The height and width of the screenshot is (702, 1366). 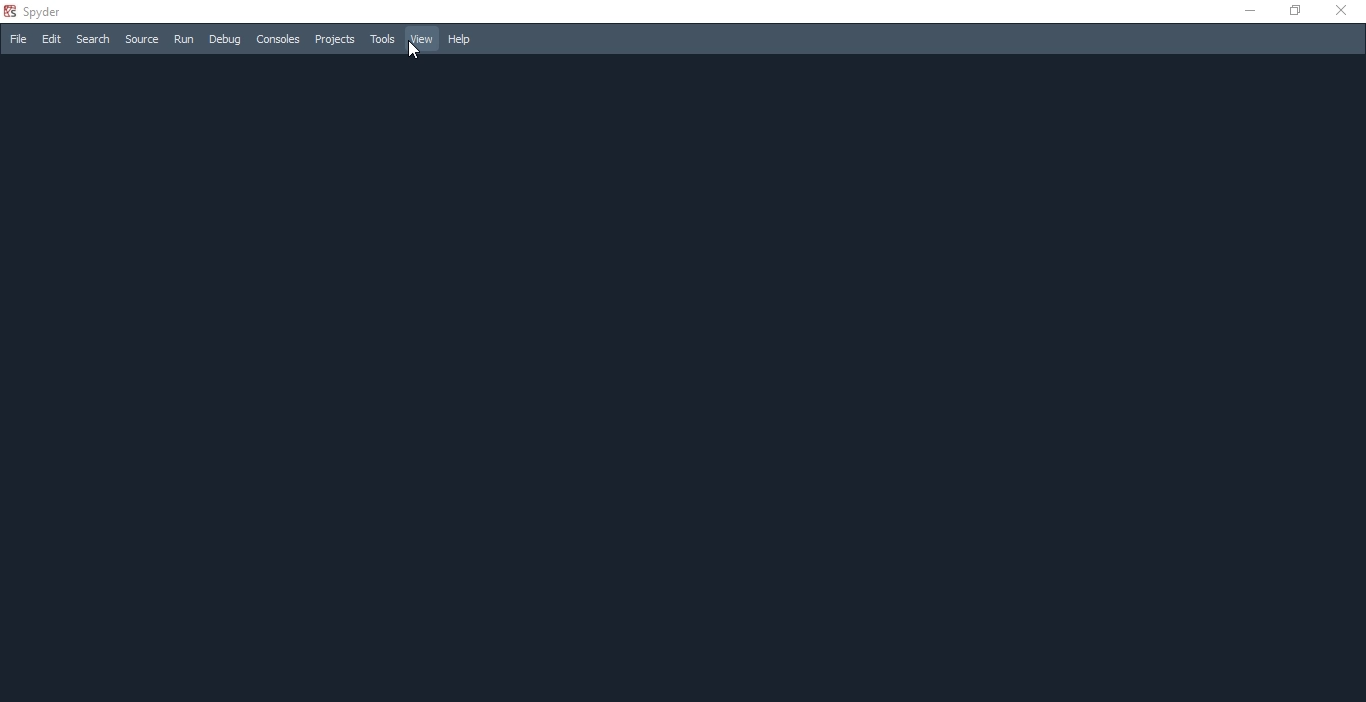 What do you see at coordinates (277, 39) in the screenshot?
I see `Consoles` at bounding box center [277, 39].